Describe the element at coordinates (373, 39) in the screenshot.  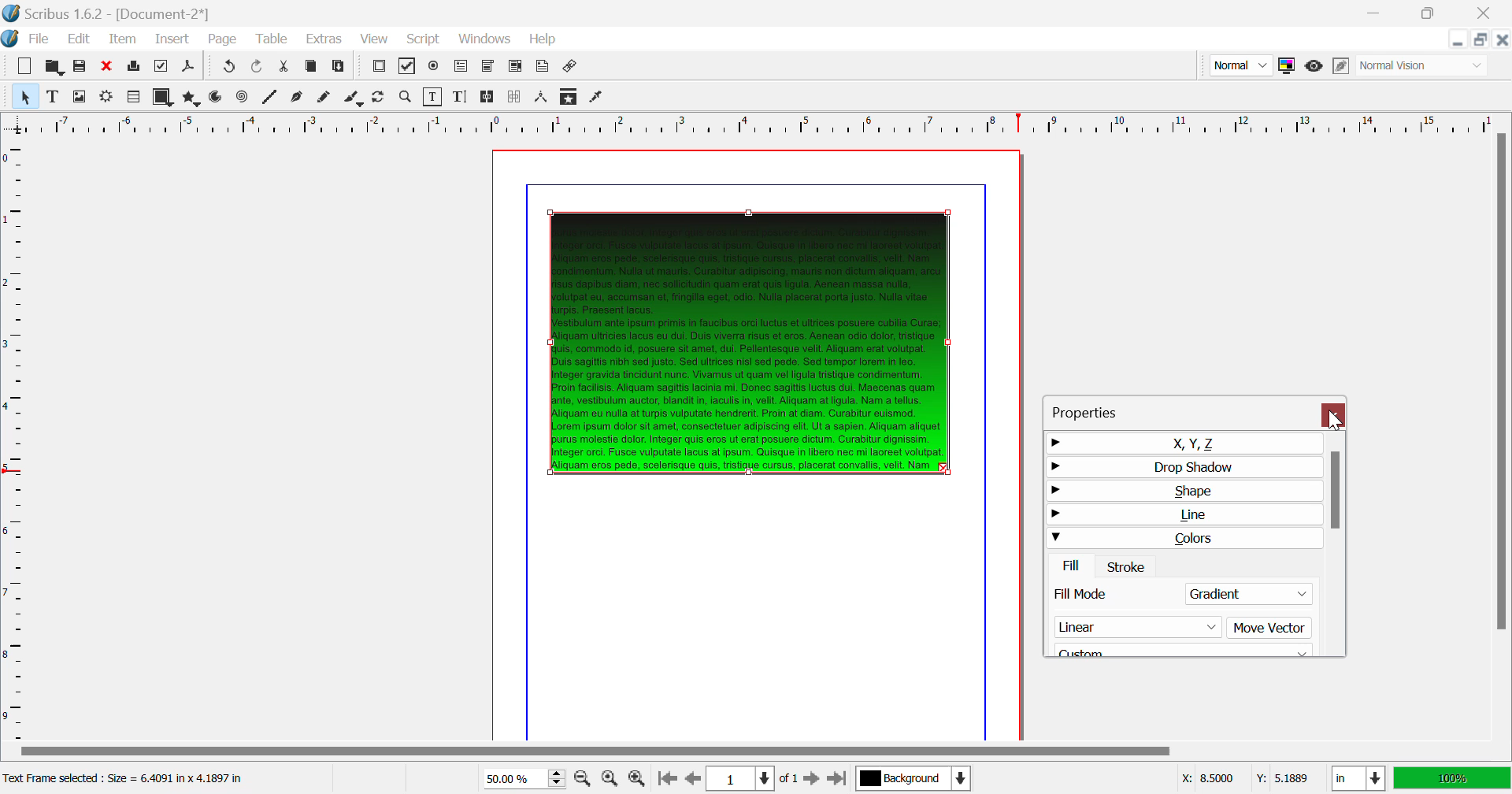
I see `View` at that location.